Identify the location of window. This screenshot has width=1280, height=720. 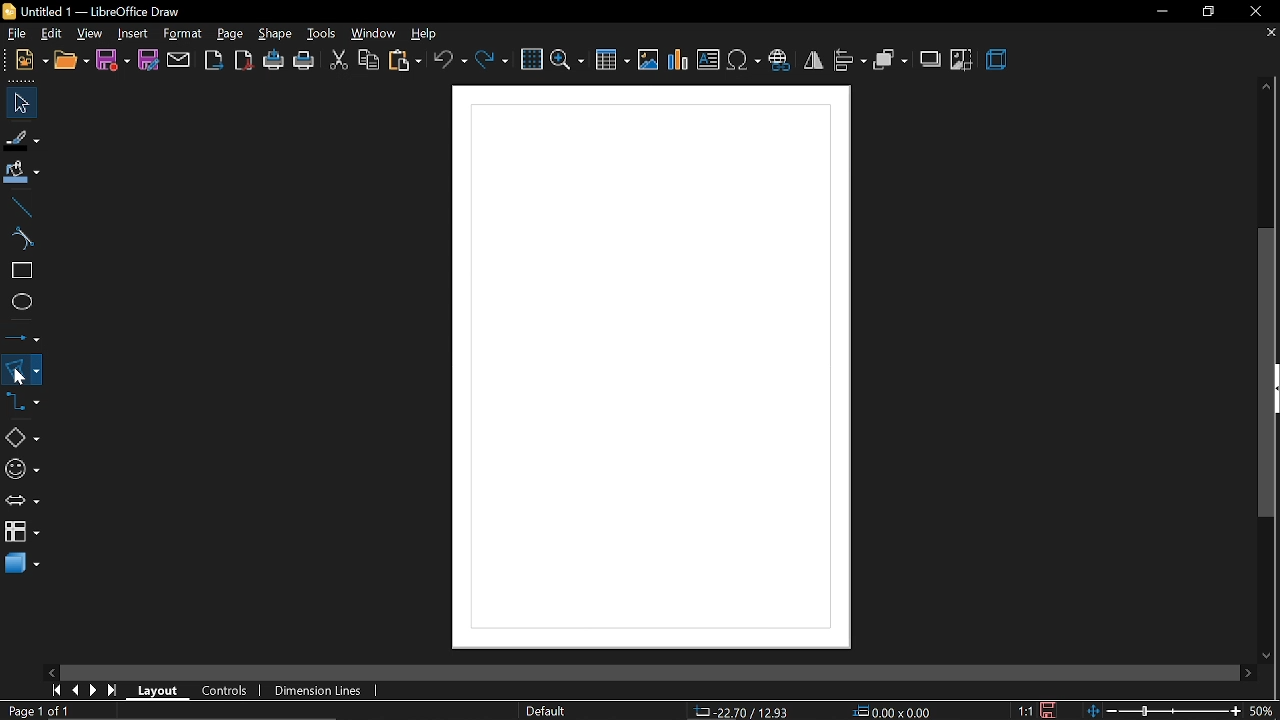
(372, 34).